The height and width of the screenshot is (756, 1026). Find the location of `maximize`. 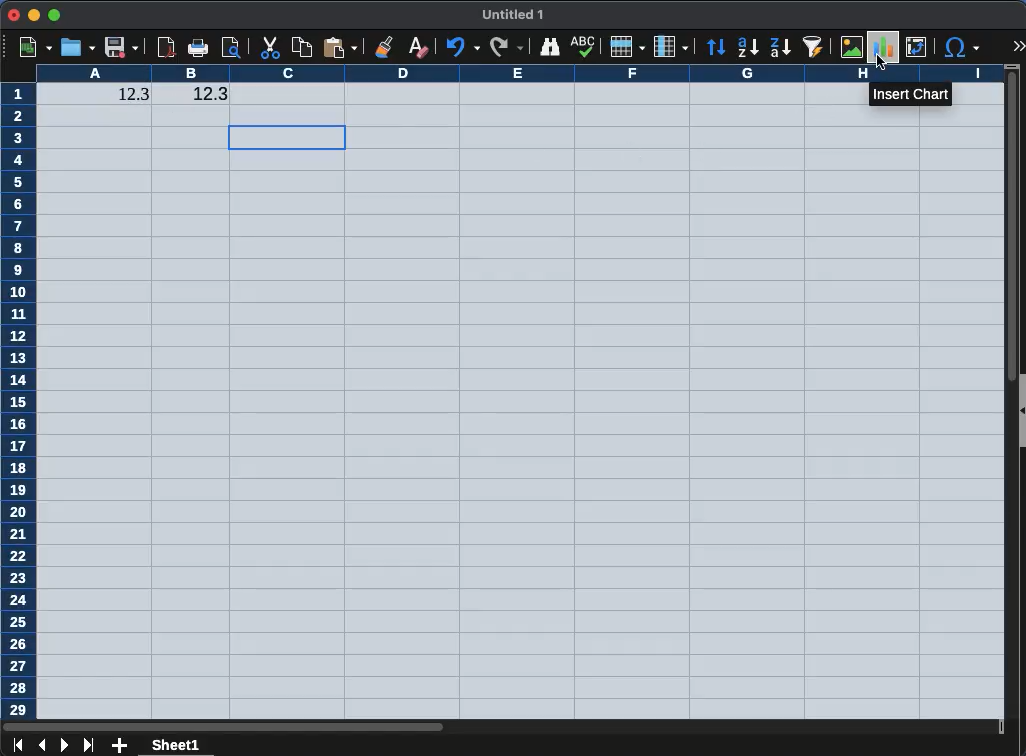

maximize is located at coordinates (56, 16).